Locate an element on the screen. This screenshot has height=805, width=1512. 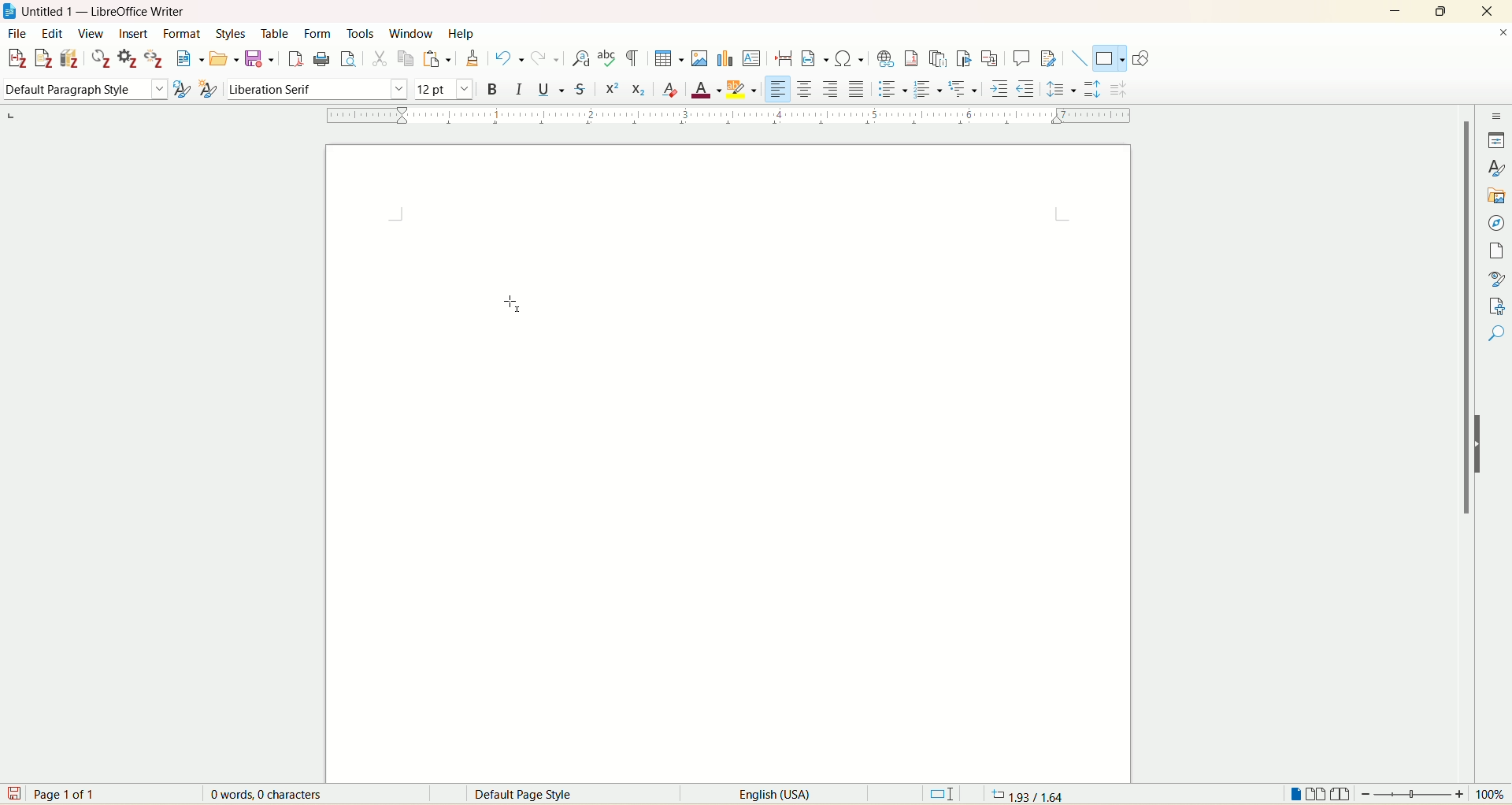
print preview is located at coordinates (349, 58).